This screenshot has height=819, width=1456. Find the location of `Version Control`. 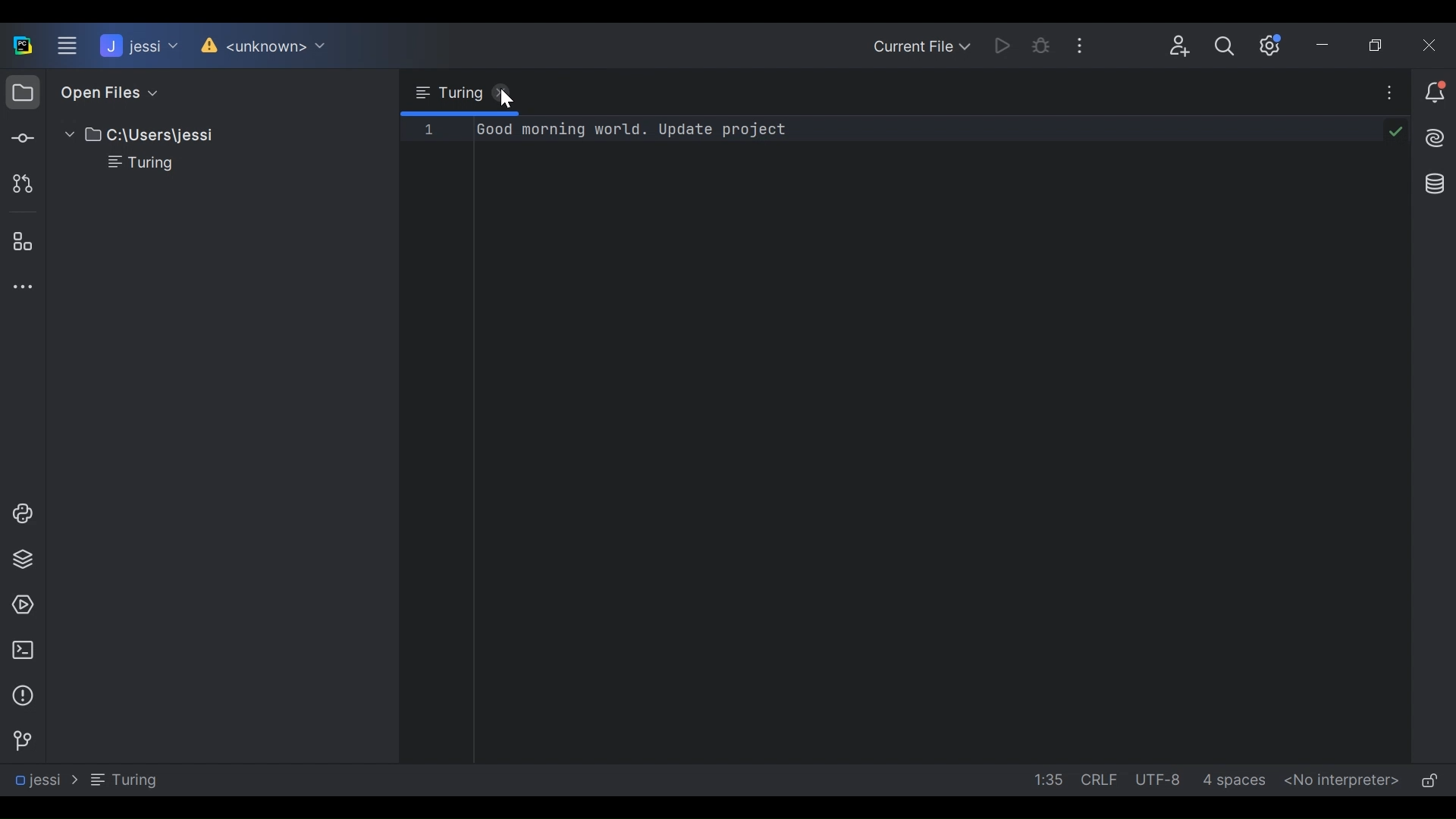

Version Control is located at coordinates (18, 741).